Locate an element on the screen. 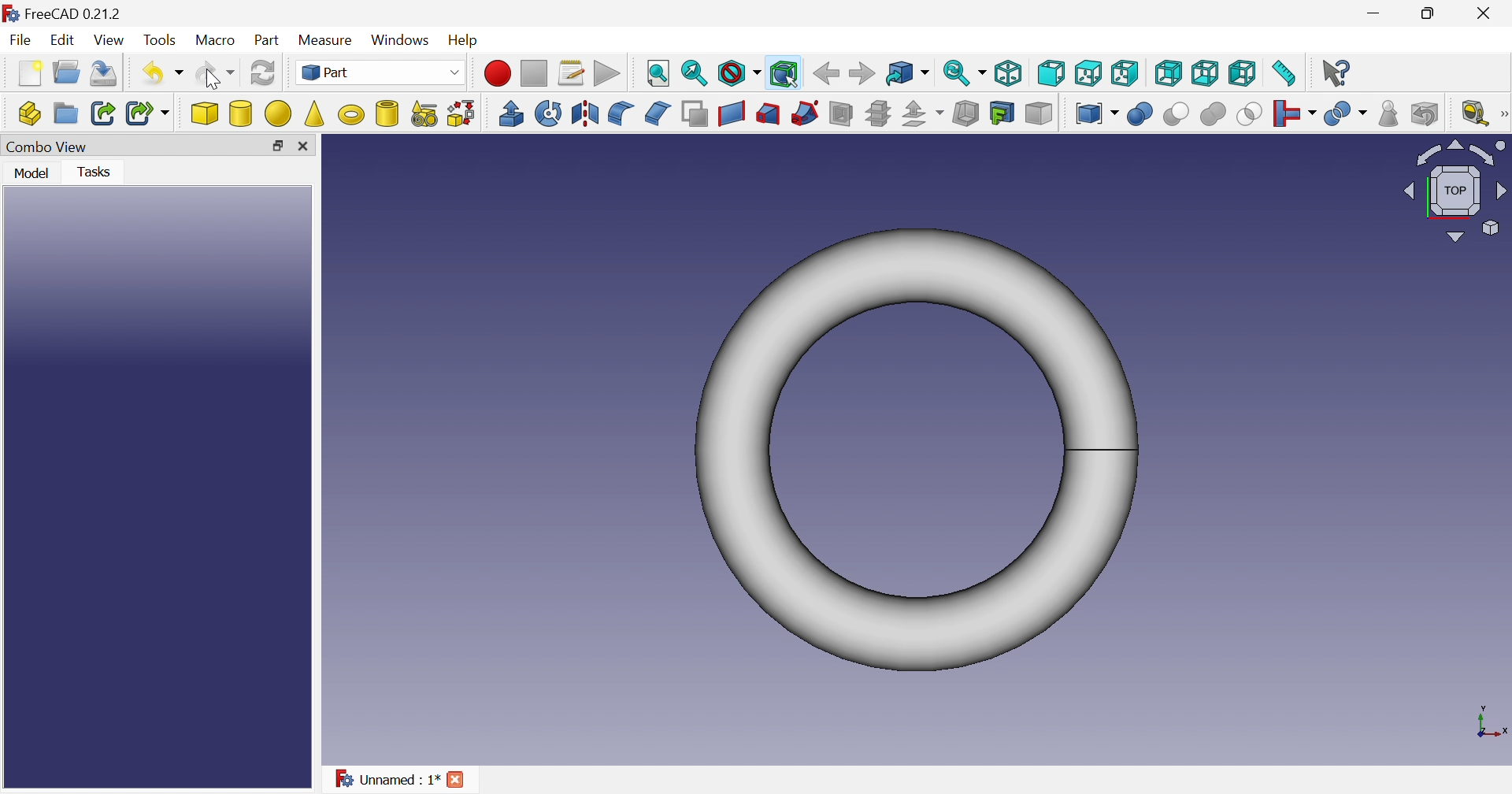 Image resolution: width=1512 pixels, height=794 pixels. Fit selection is located at coordinates (693, 74).